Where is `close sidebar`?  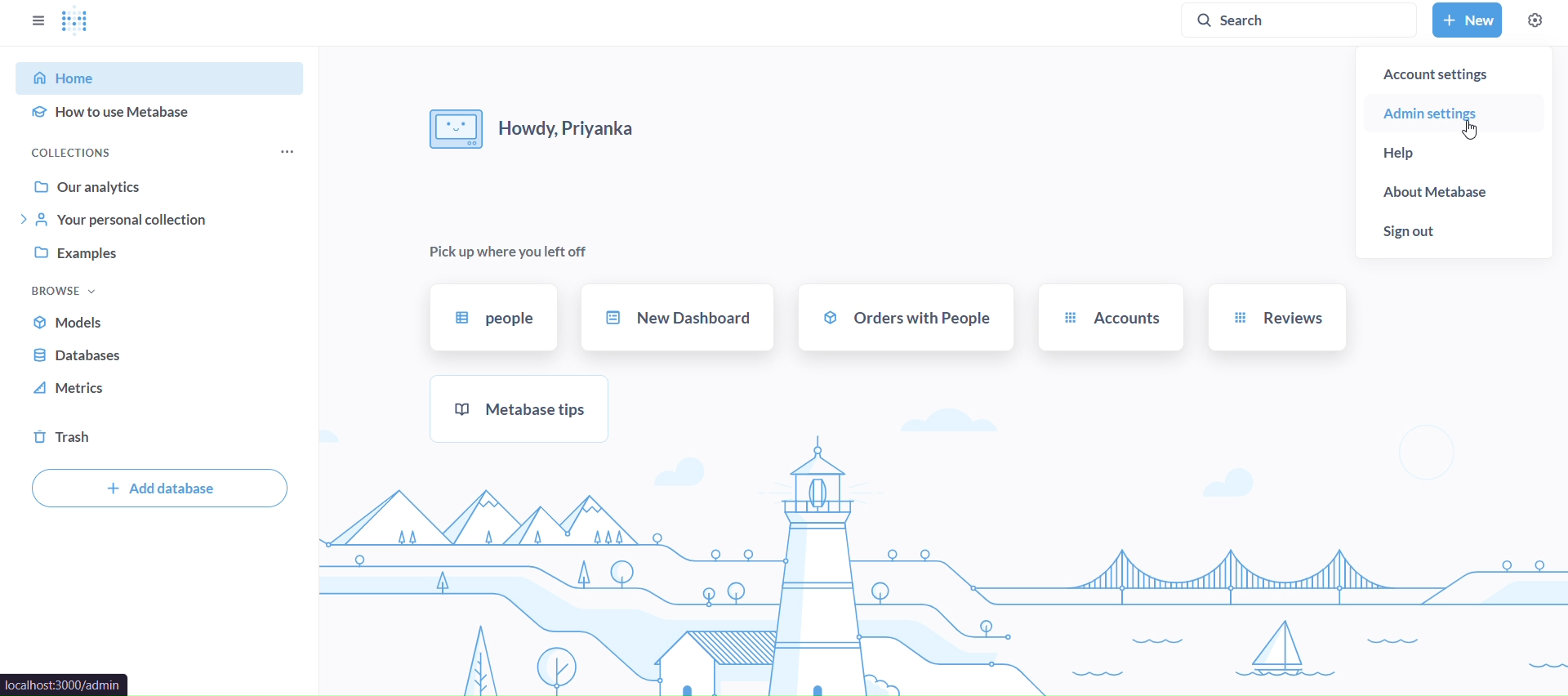
close sidebar is located at coordinates (38, 20).